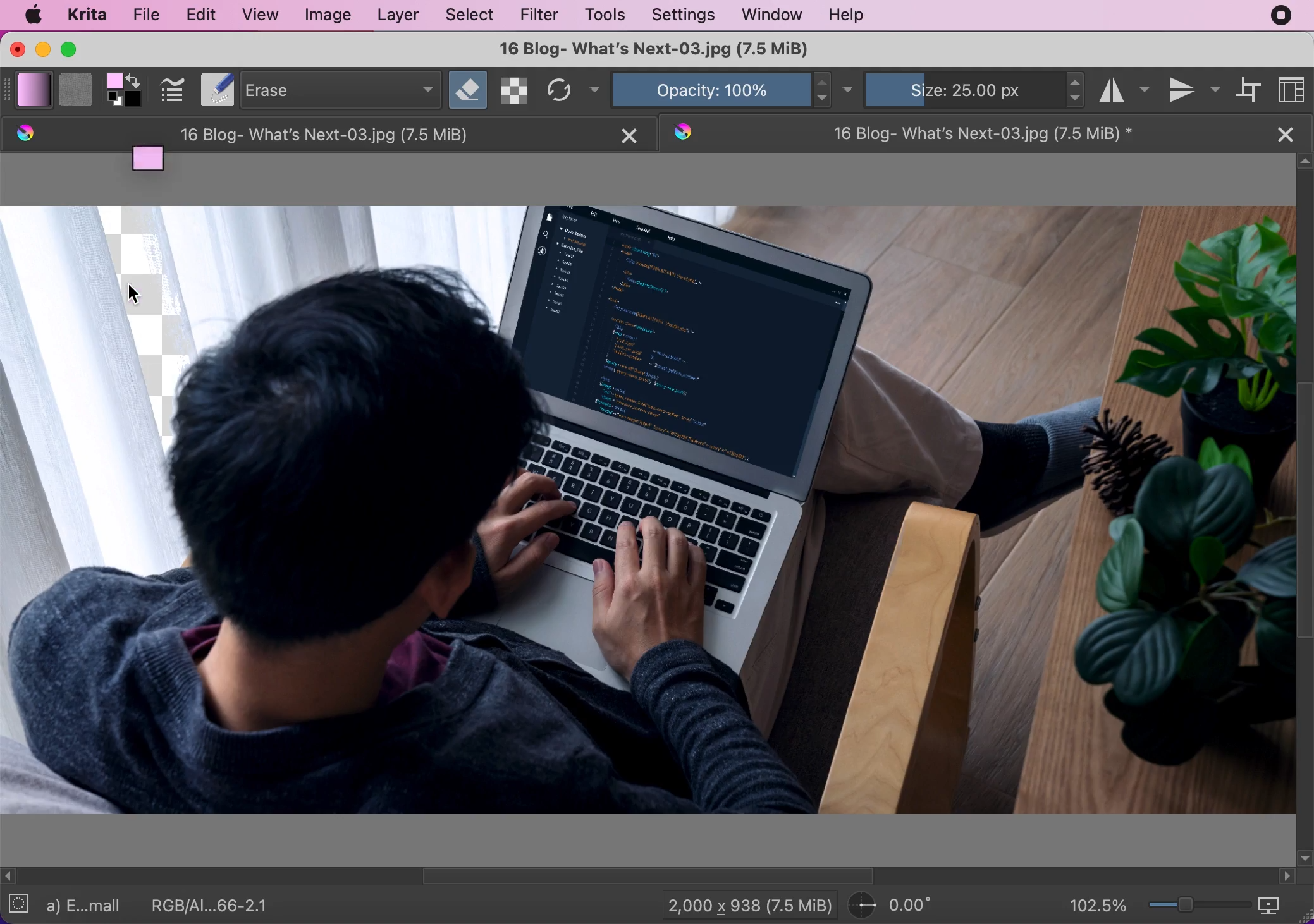 The width and height of the screenshot is (1314, 924). Describe the element at coordinates (653, 49) in the screenshot. I see `16 Blog- What's Next-03.jpg (7.5 MiB)` at that location.